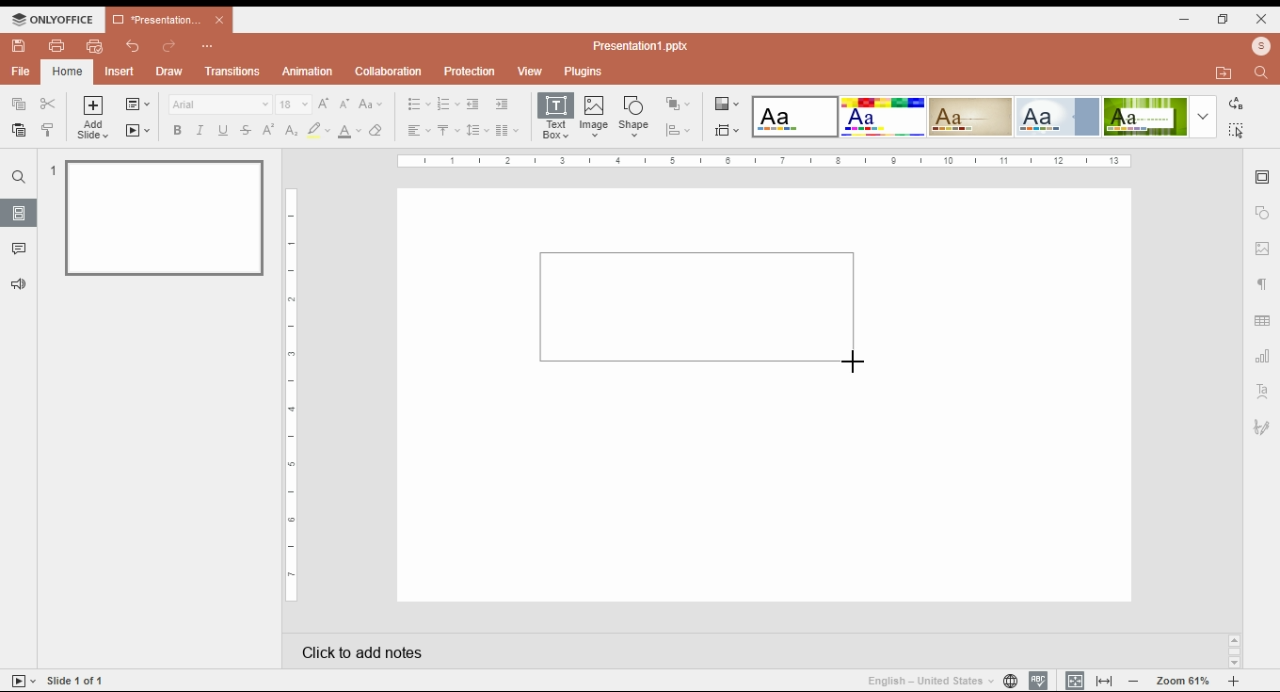 The width and height of the screenshot is (1280, 692). What do you see at coordinates (1264, 322) in the screenshot?
I see `table settings` at bounding box center [1264, 322].